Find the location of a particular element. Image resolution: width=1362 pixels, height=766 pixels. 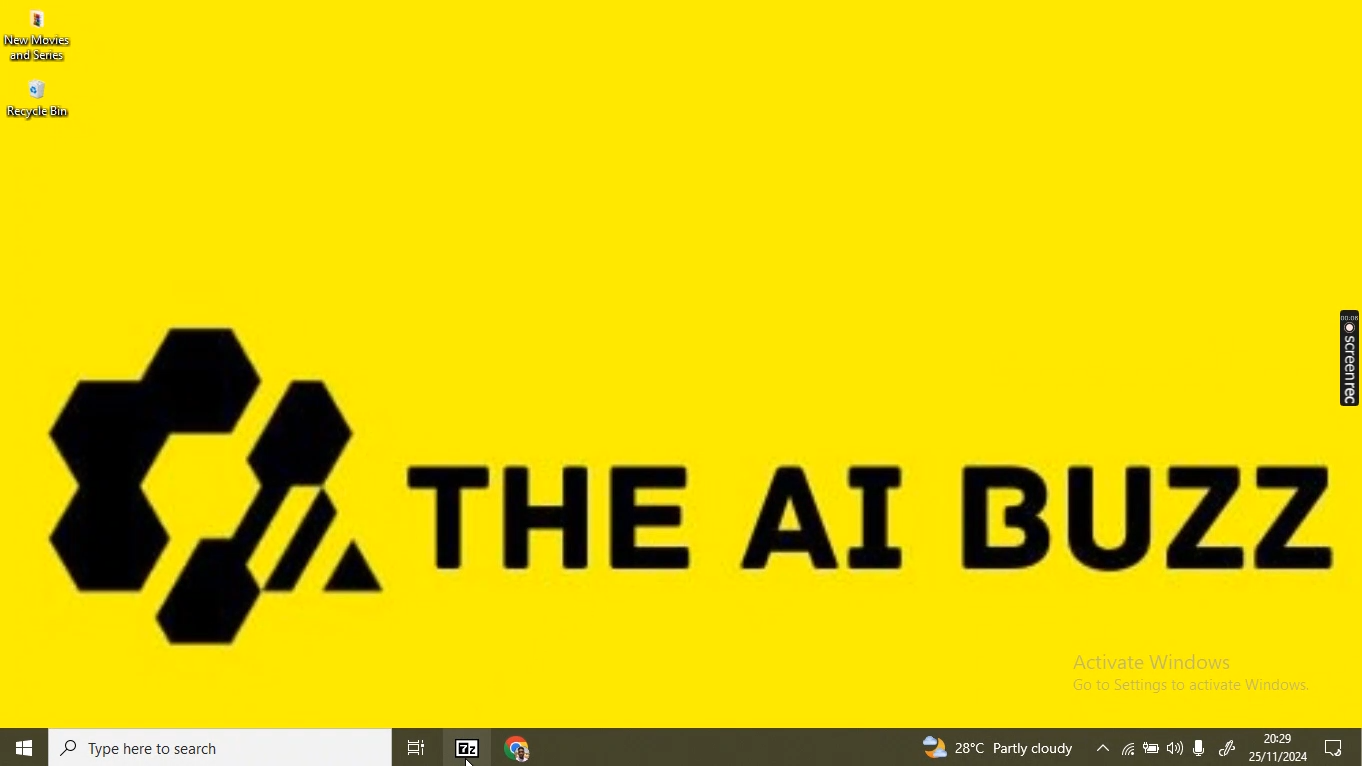

Recycle Bin is located at coordinates (48, 98).